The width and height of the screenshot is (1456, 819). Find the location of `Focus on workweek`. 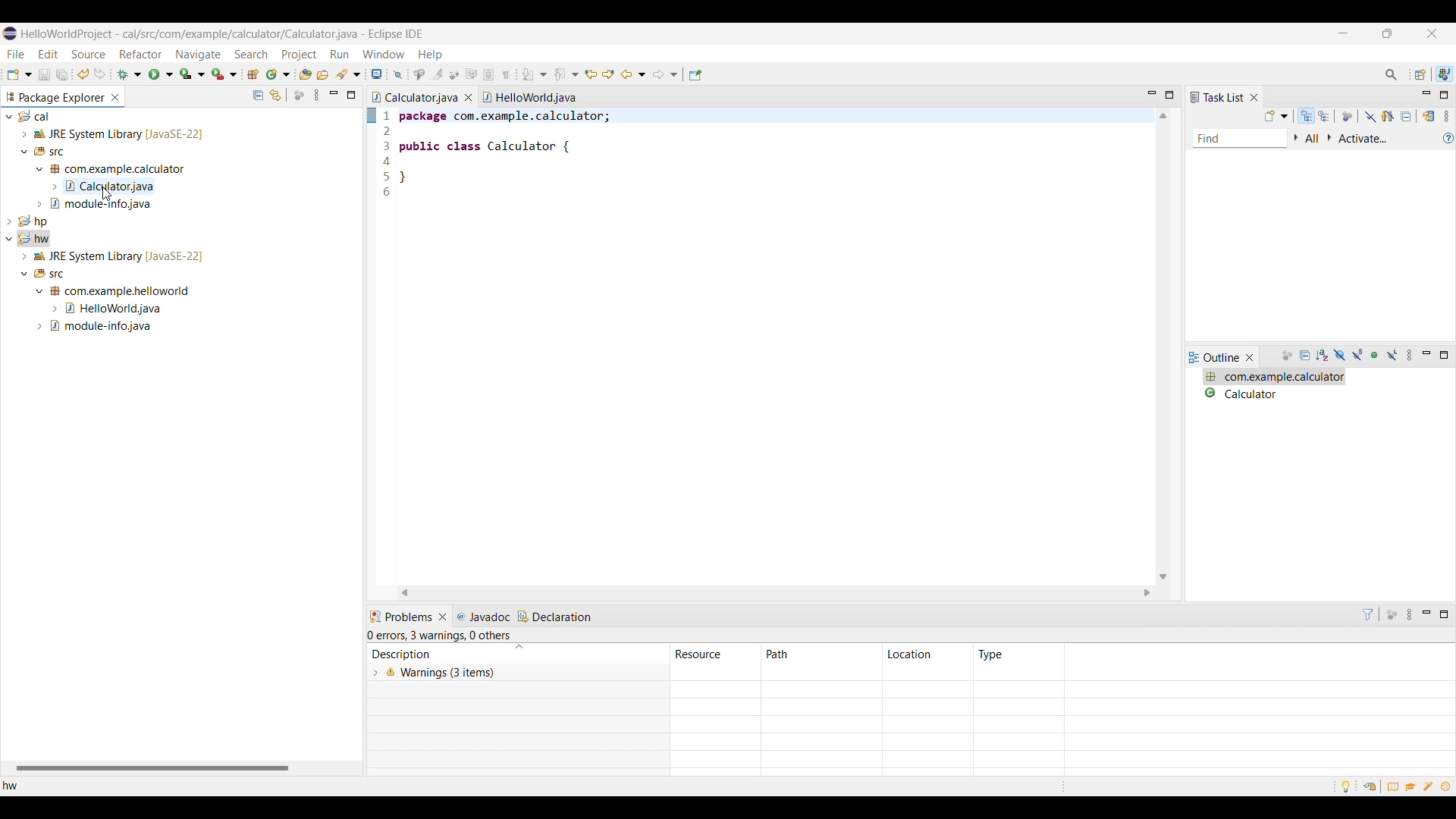

Focus on workweek is located at coordinates (1348, 117).